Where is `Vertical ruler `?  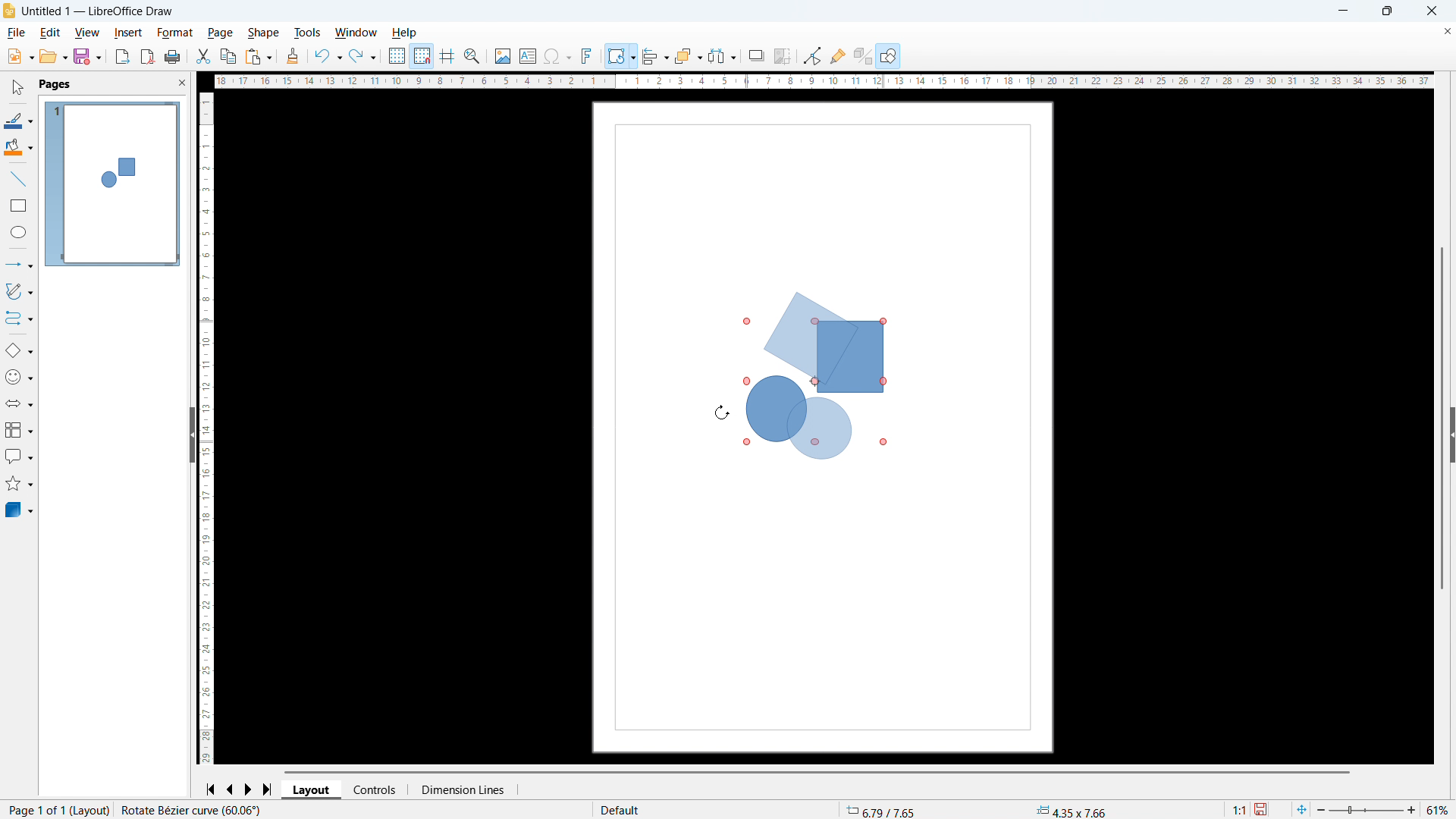
Vertical ruler  is located at coordinates (205, 429).